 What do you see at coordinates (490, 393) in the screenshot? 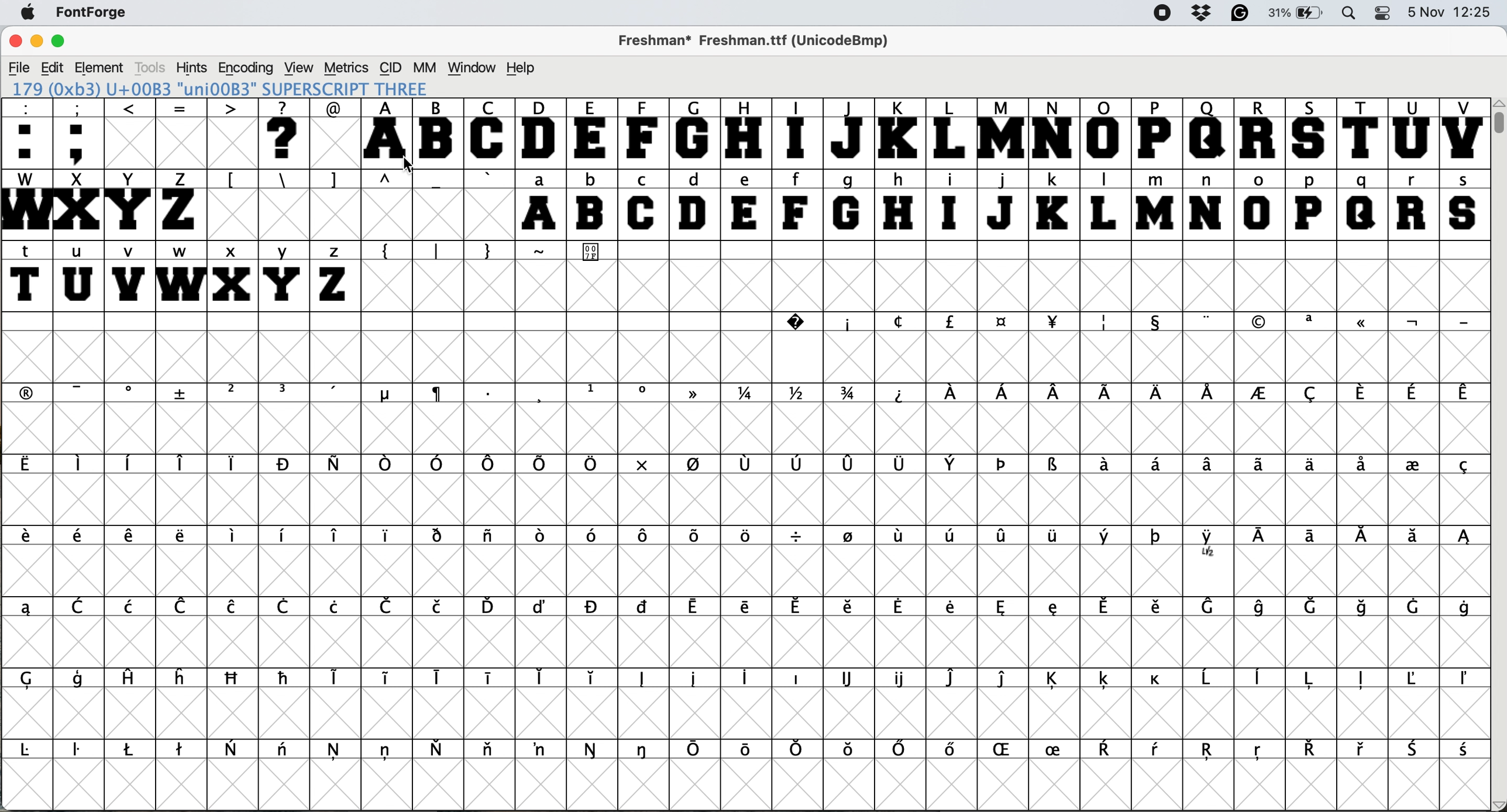
I see `.` at bounding box center [490, 393].